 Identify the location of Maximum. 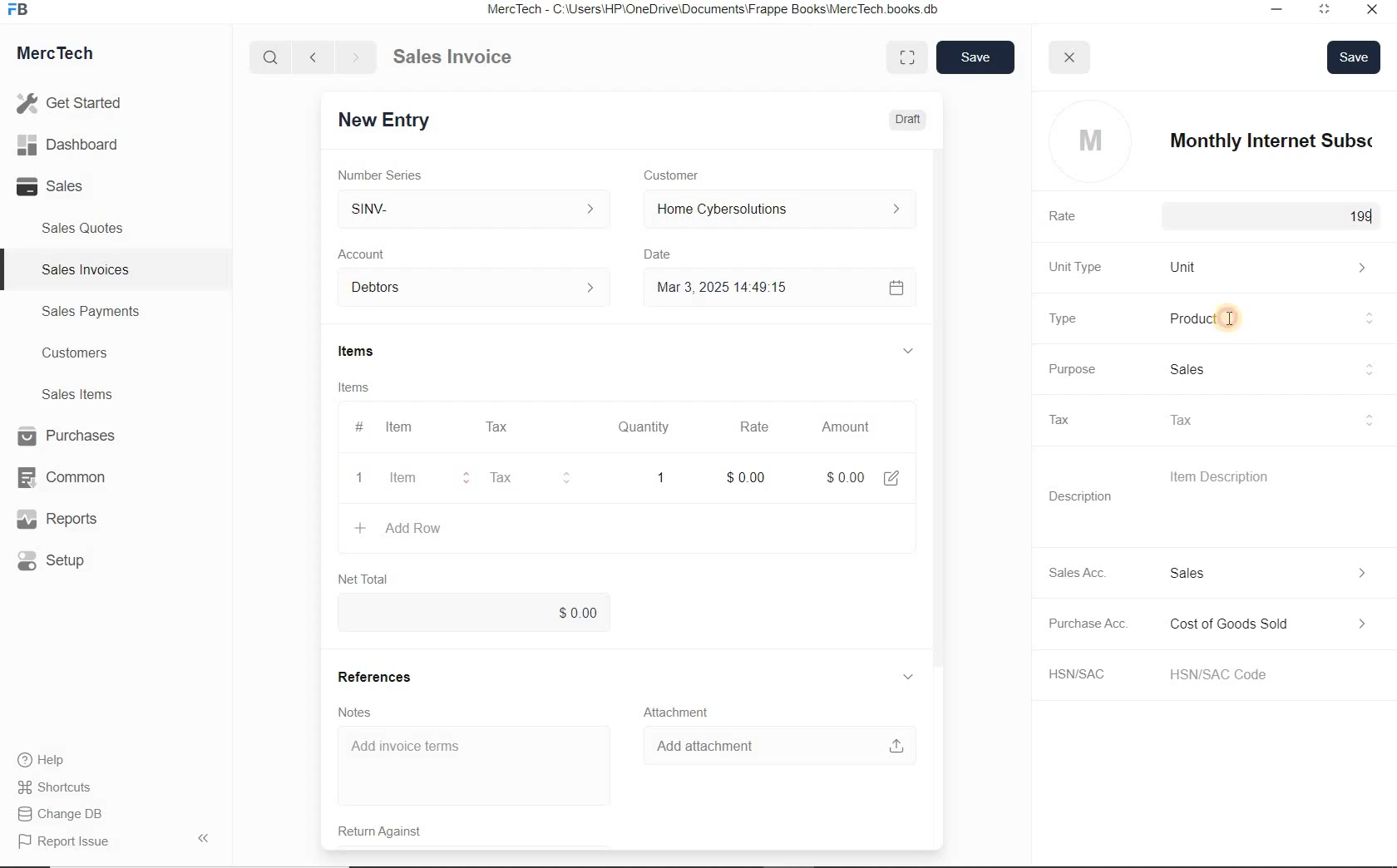
(1325, 12).